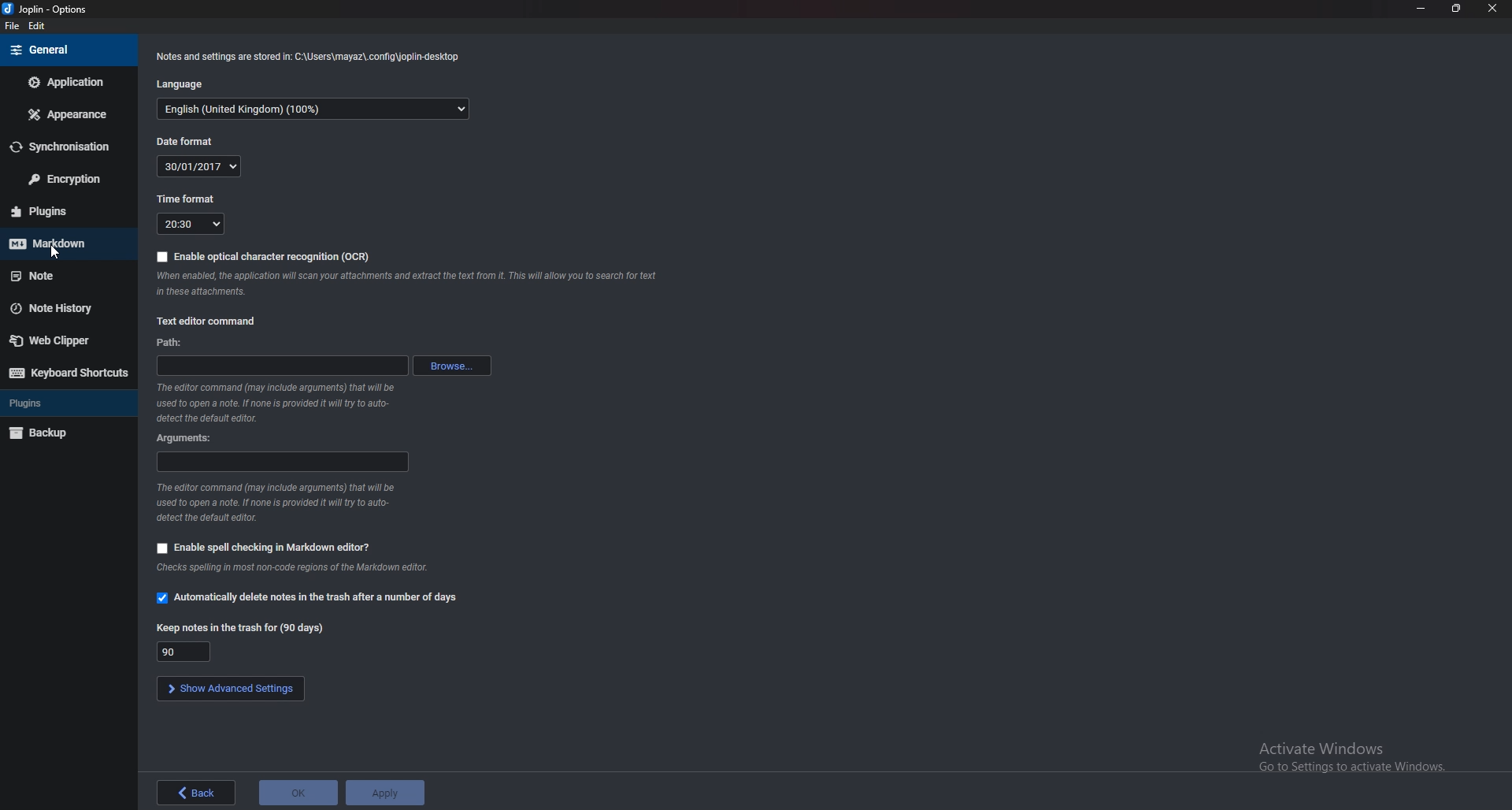 Image resolution: width=1512 pixels, height=810 pixels. Describe the element at coordinates (46, 9) in the screenshot. I see `options` at that location.